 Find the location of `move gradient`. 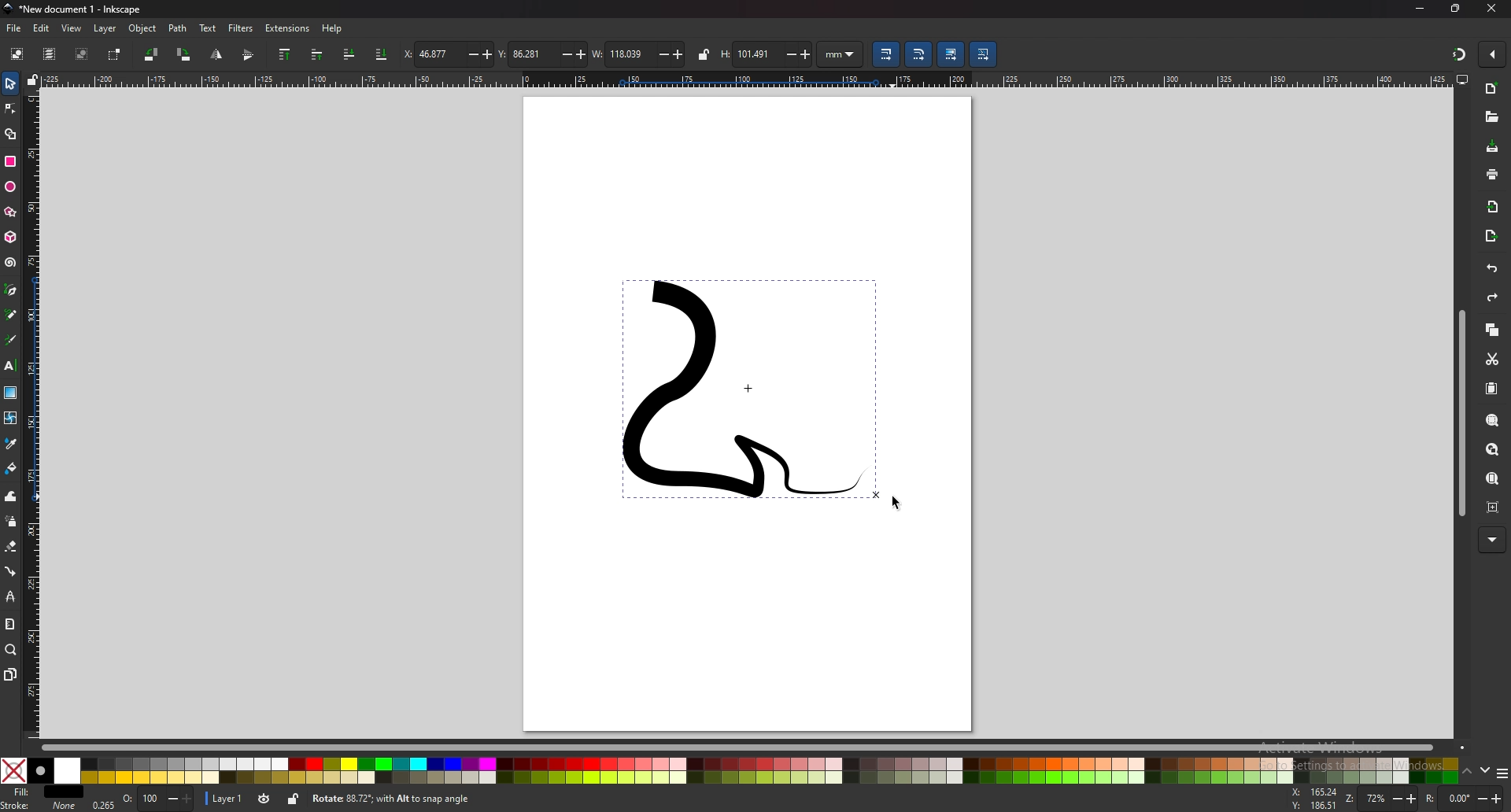

move gradient is located at coordinates (950, 54).